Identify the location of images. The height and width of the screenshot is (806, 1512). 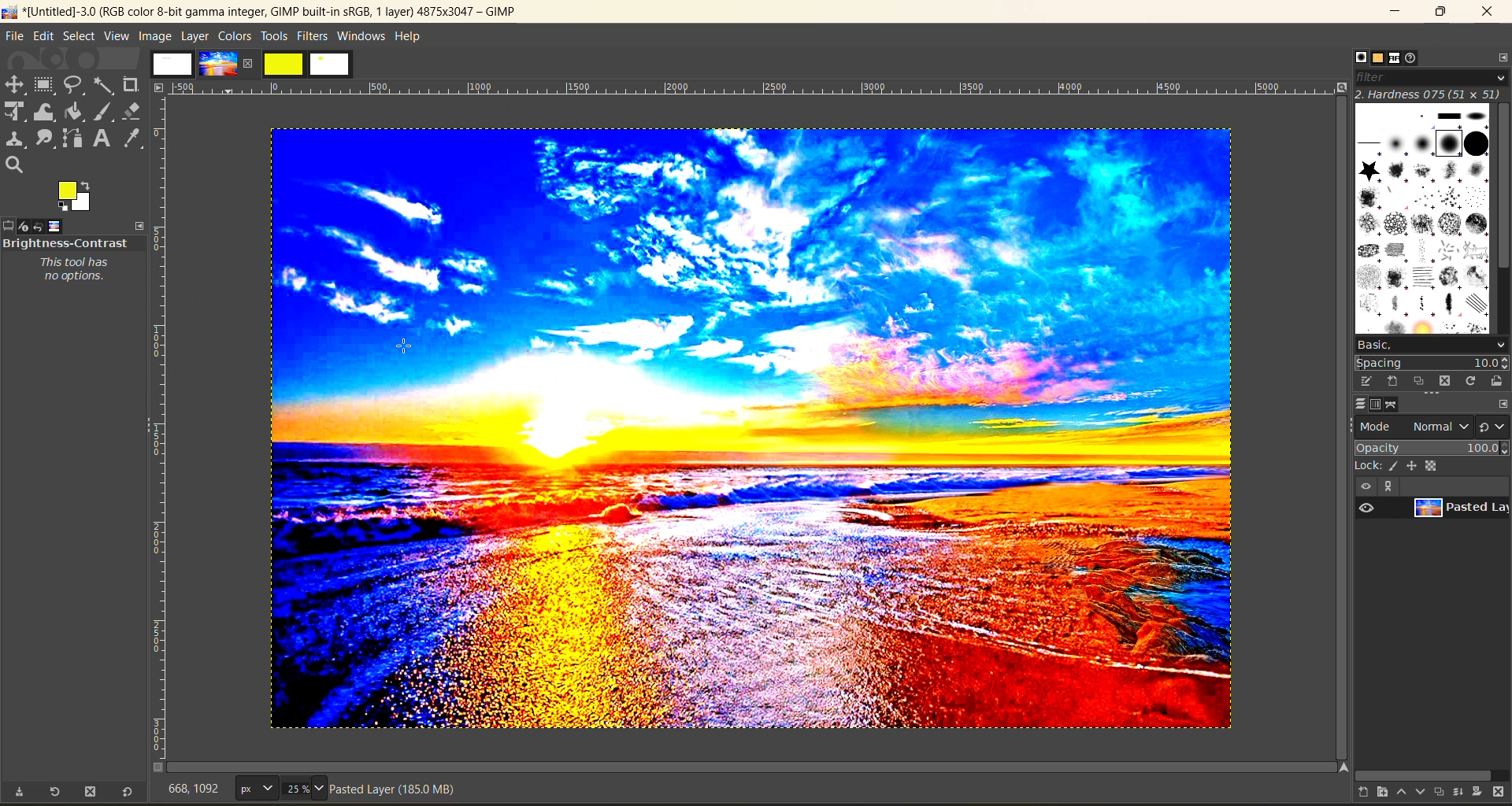
(52, 225).